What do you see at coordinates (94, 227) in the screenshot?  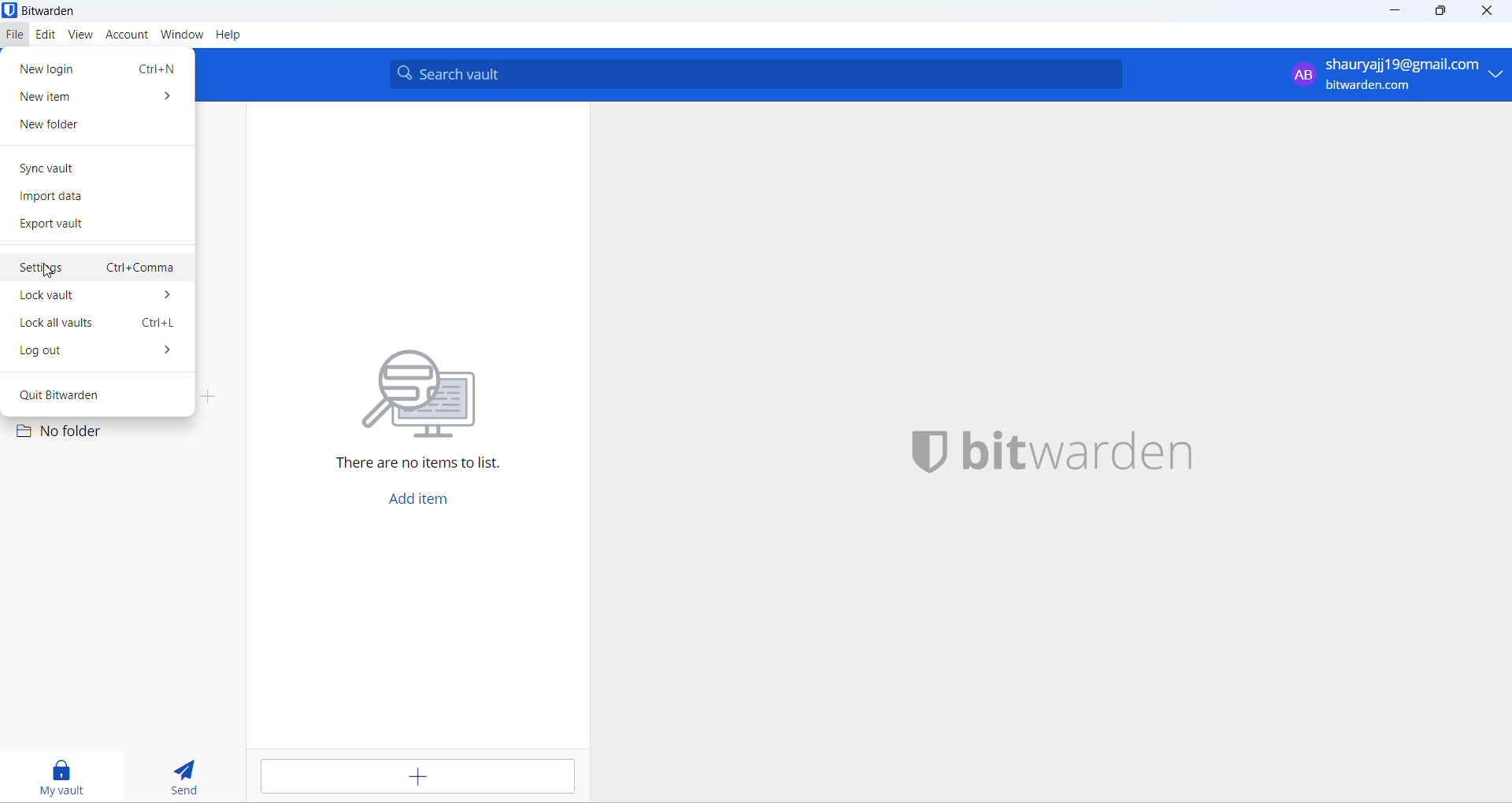 I see `export vault` at bounding box center [94, 227].